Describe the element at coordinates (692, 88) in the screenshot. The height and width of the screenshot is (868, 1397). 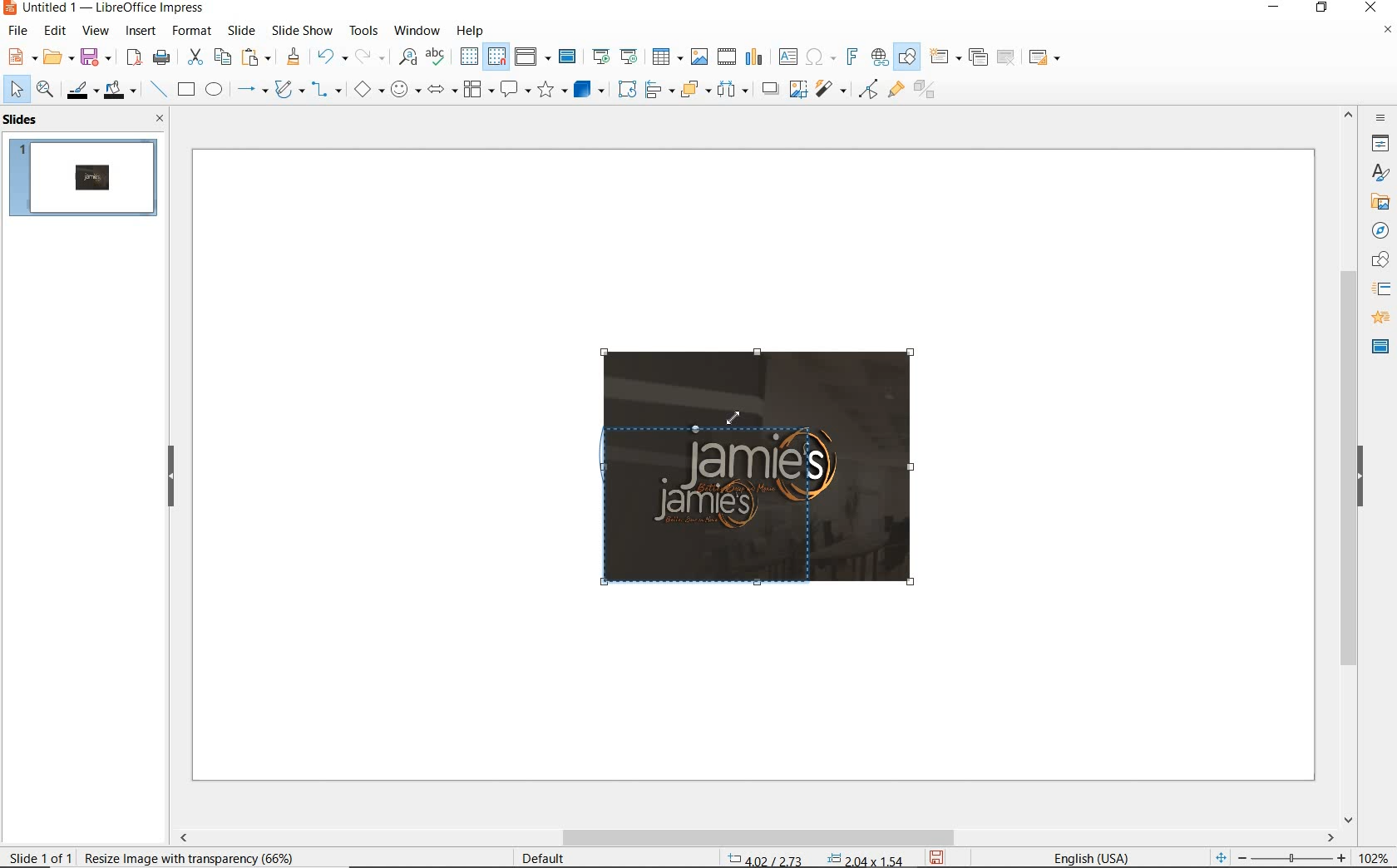
I see `arrange` at that location.